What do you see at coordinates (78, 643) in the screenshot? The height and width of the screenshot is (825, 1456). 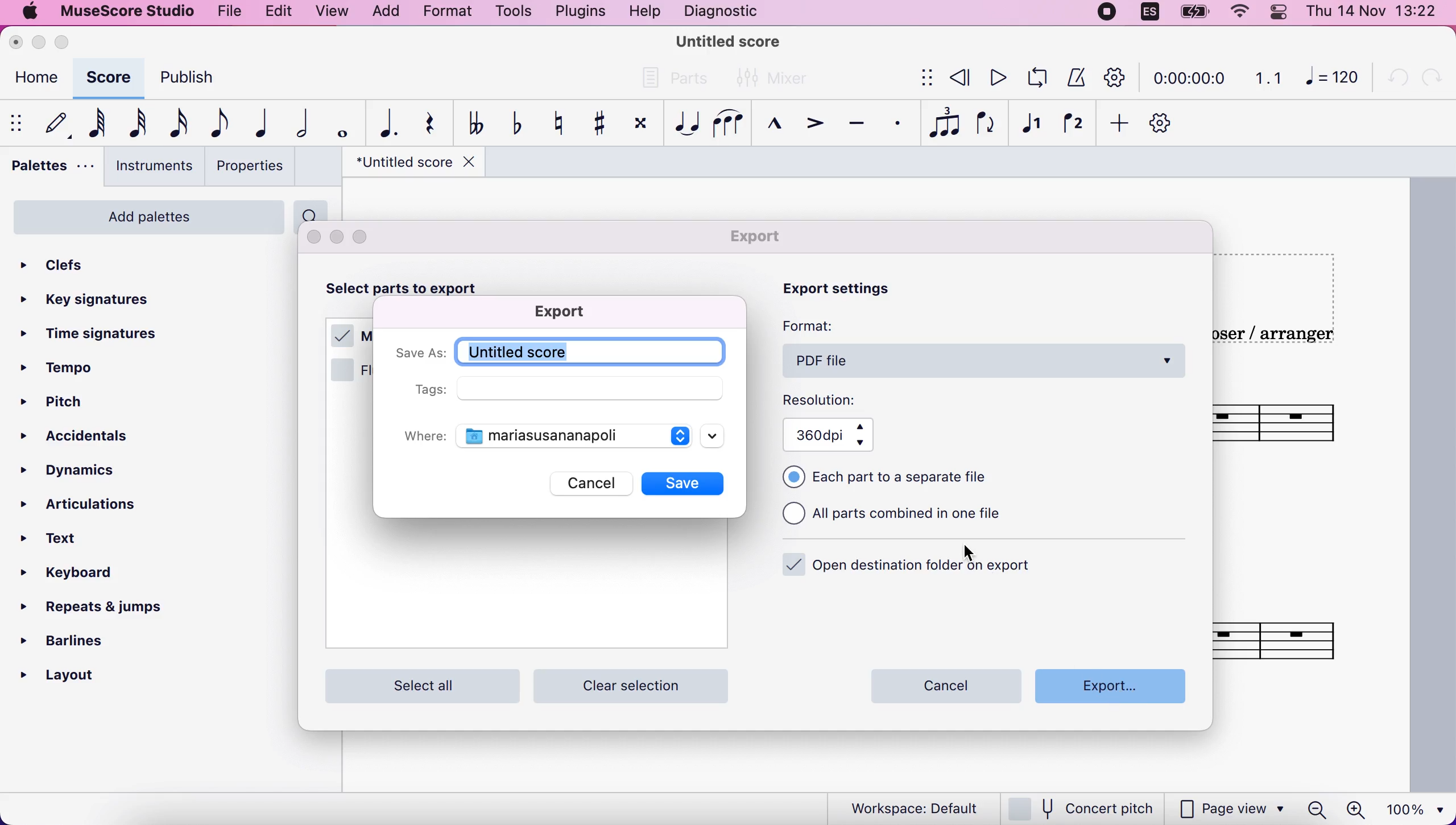 I see `barlines` at bounding box center [78, 643].